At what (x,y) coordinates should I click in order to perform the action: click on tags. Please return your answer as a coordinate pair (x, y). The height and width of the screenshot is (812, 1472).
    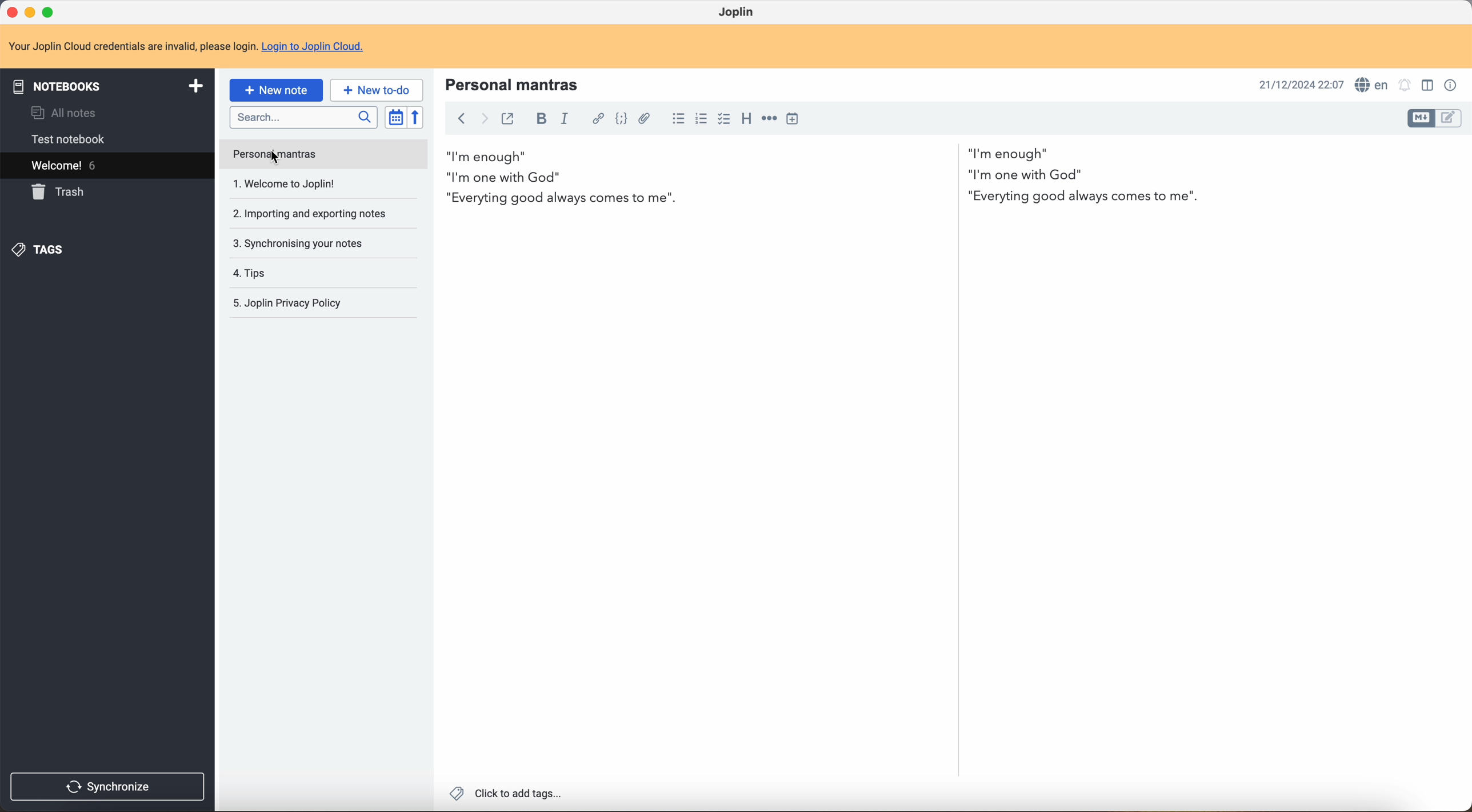
    Looking at the image, I should click on (43, 252).